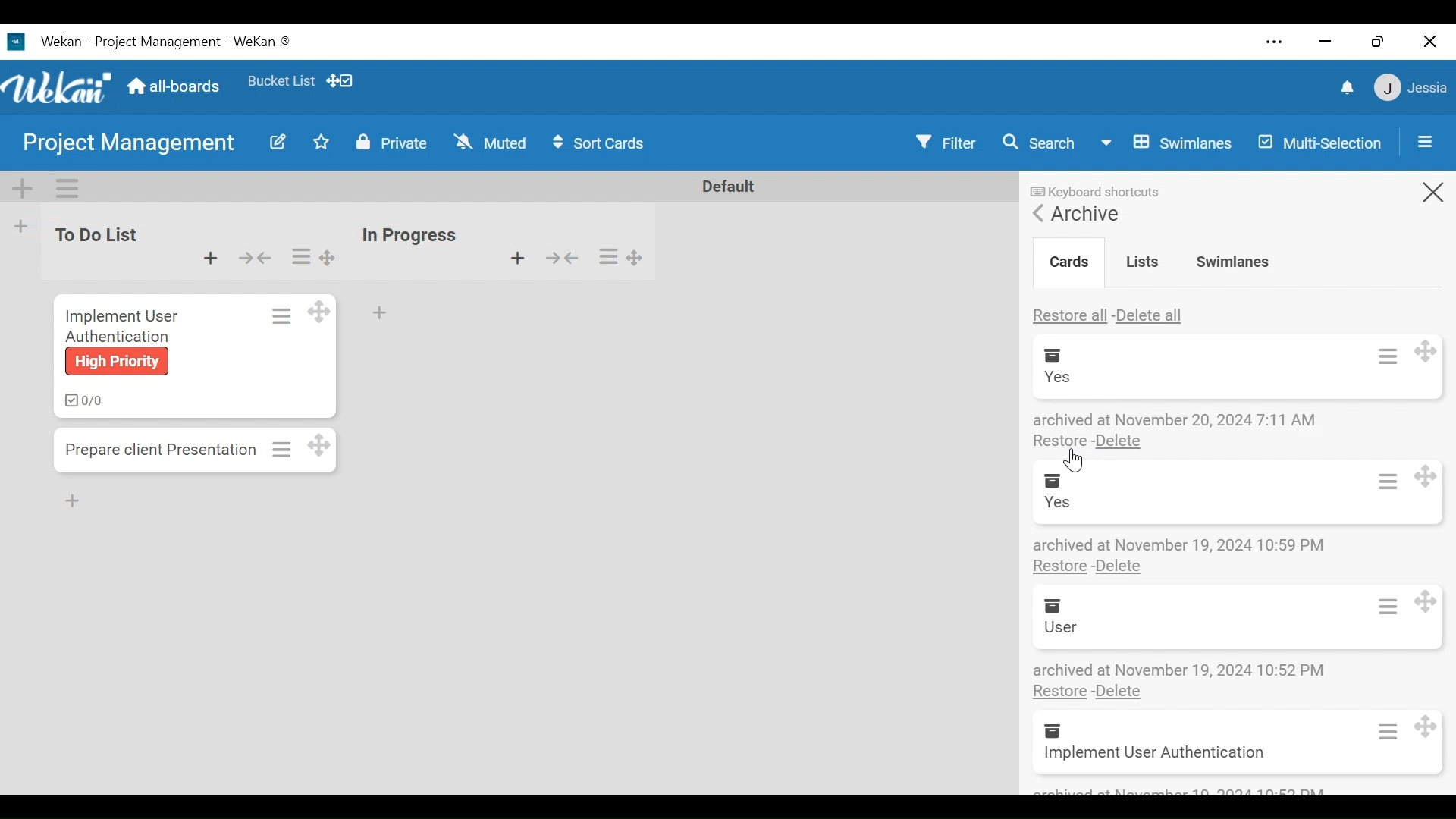  Describe the element at coordinates (1066, 259) in the screenshot. I see `Cards` at that location.